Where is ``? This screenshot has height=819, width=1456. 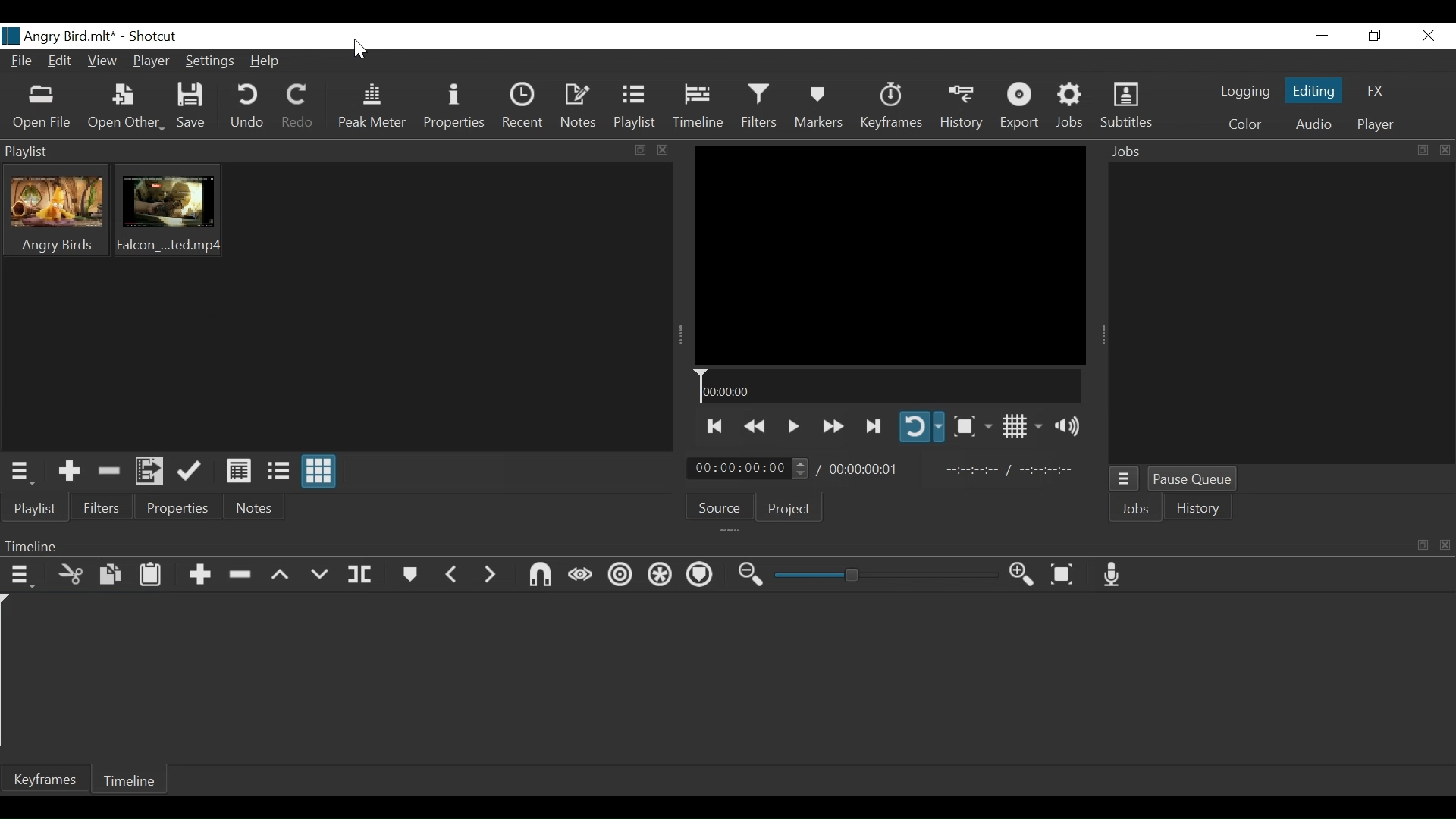
 is located at coordinates (635, 108).